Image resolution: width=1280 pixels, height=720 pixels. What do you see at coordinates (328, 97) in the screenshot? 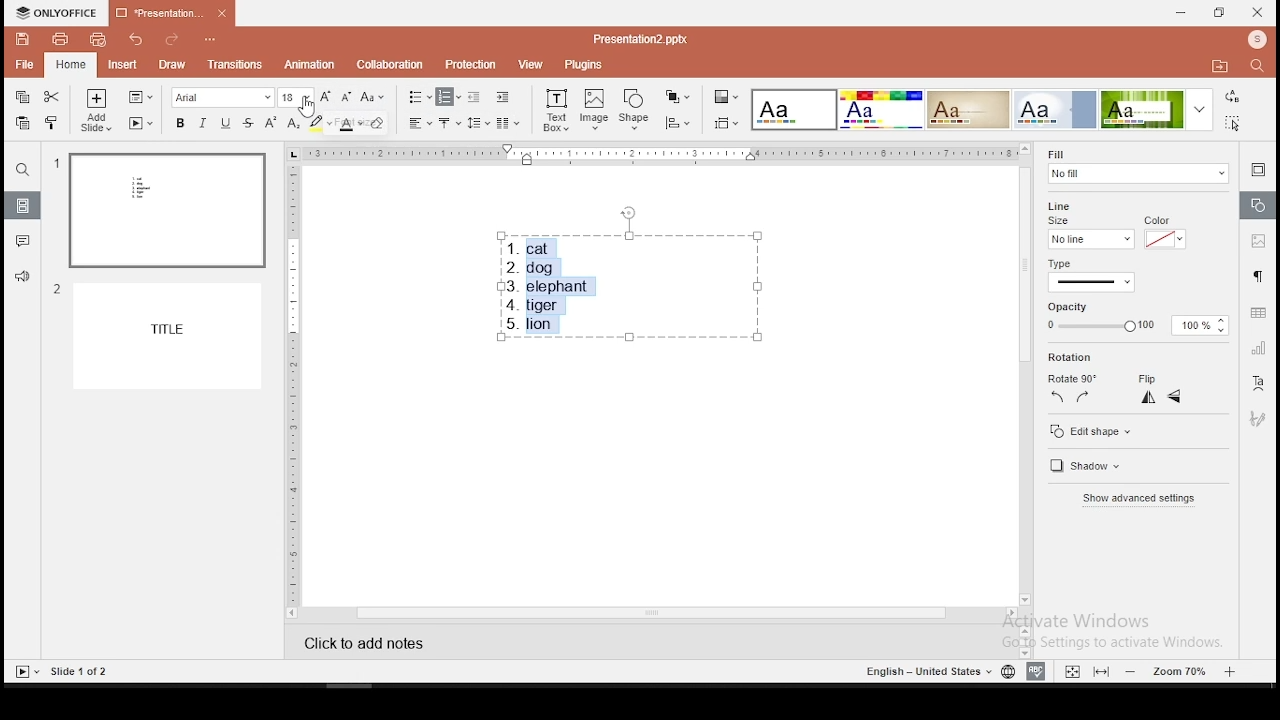
I see `increase font size` at bounding box center [328, 97].